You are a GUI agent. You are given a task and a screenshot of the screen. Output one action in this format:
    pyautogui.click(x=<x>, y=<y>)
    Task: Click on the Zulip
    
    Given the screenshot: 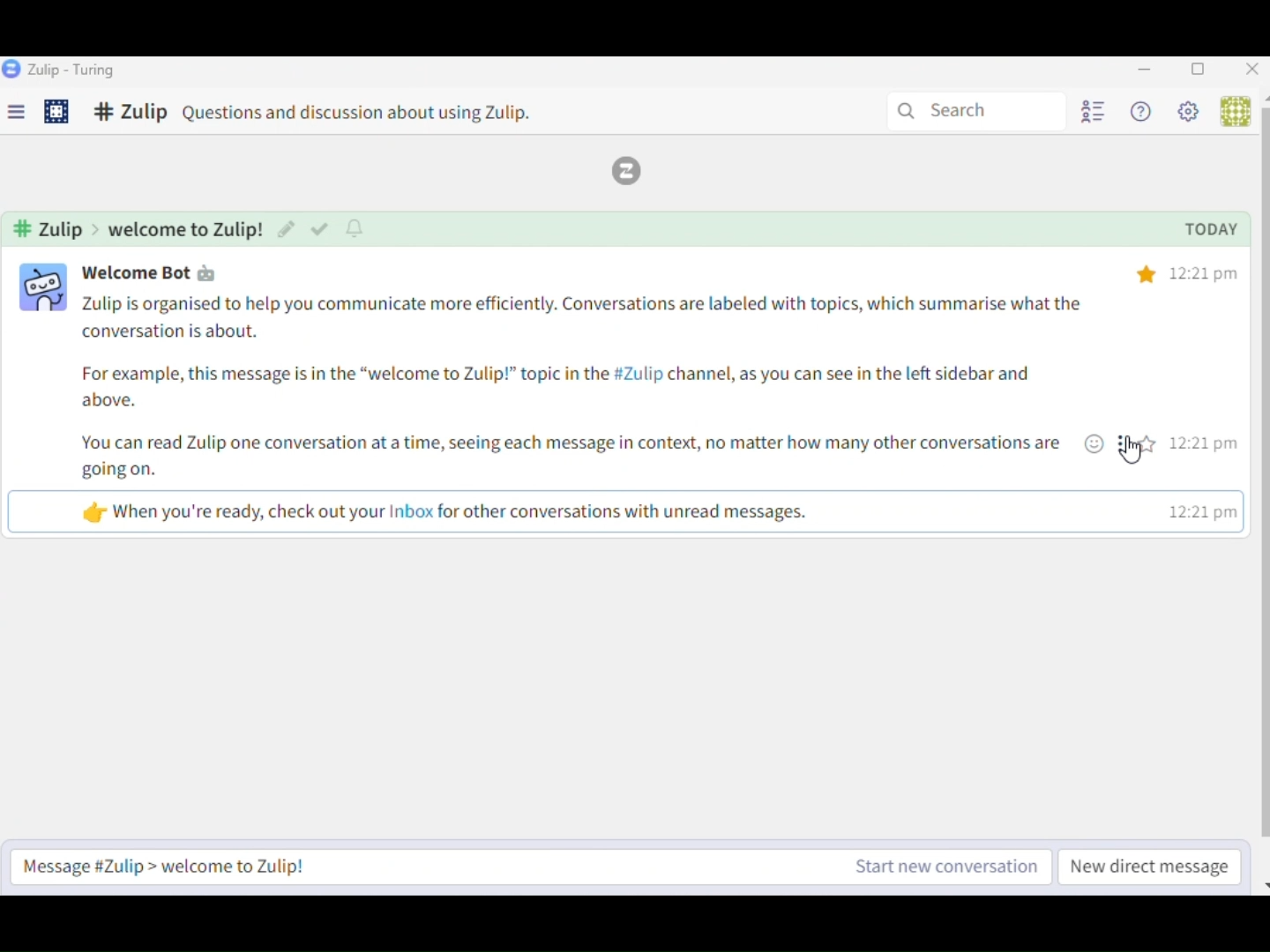 What is the action you would take?
    pyautogui.click(x=637, y=171)
    